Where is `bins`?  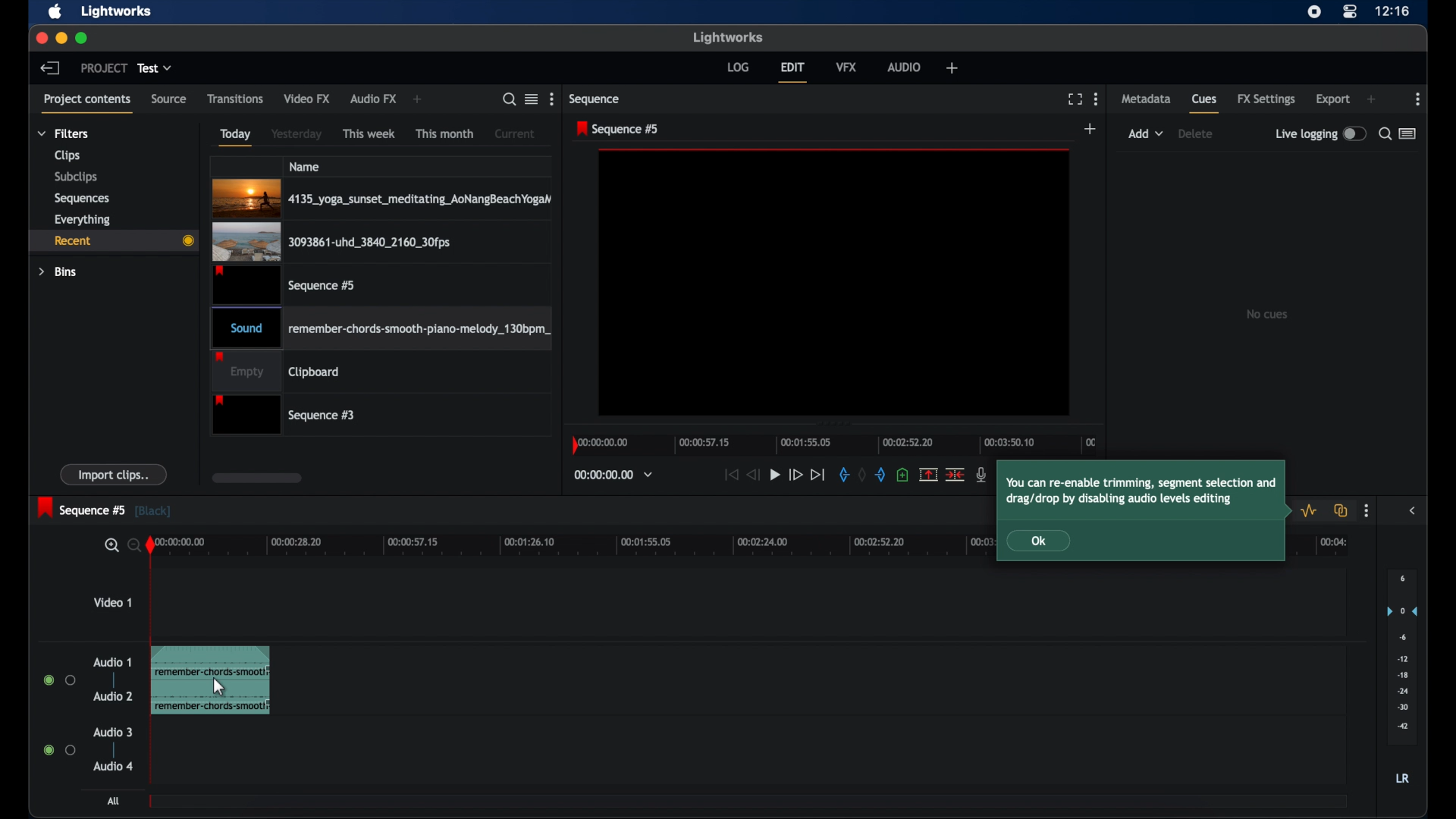
bins is located at coordinates (58, 271).